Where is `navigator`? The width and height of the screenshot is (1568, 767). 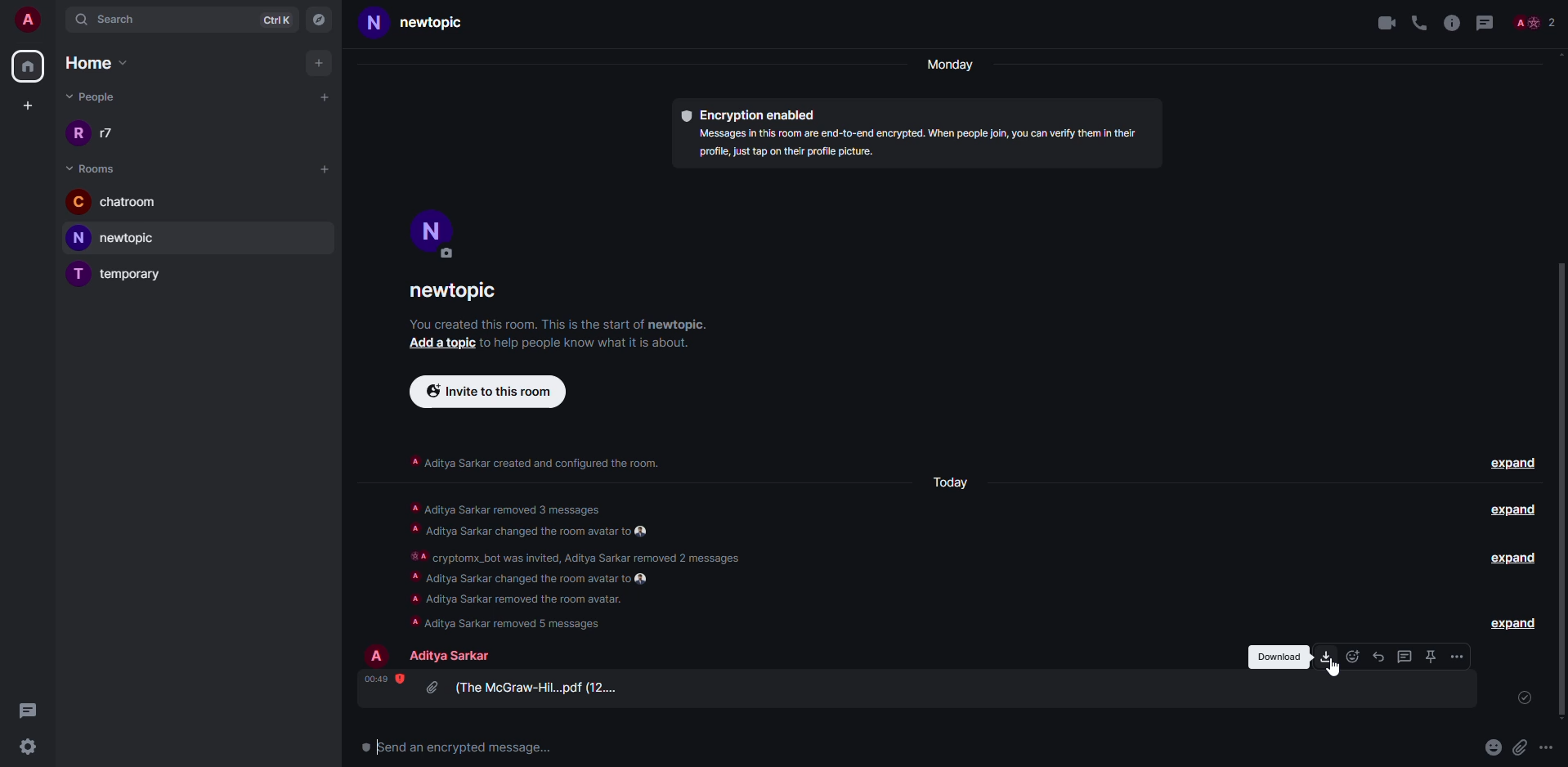
navigator is located at coordinates (323, 20).